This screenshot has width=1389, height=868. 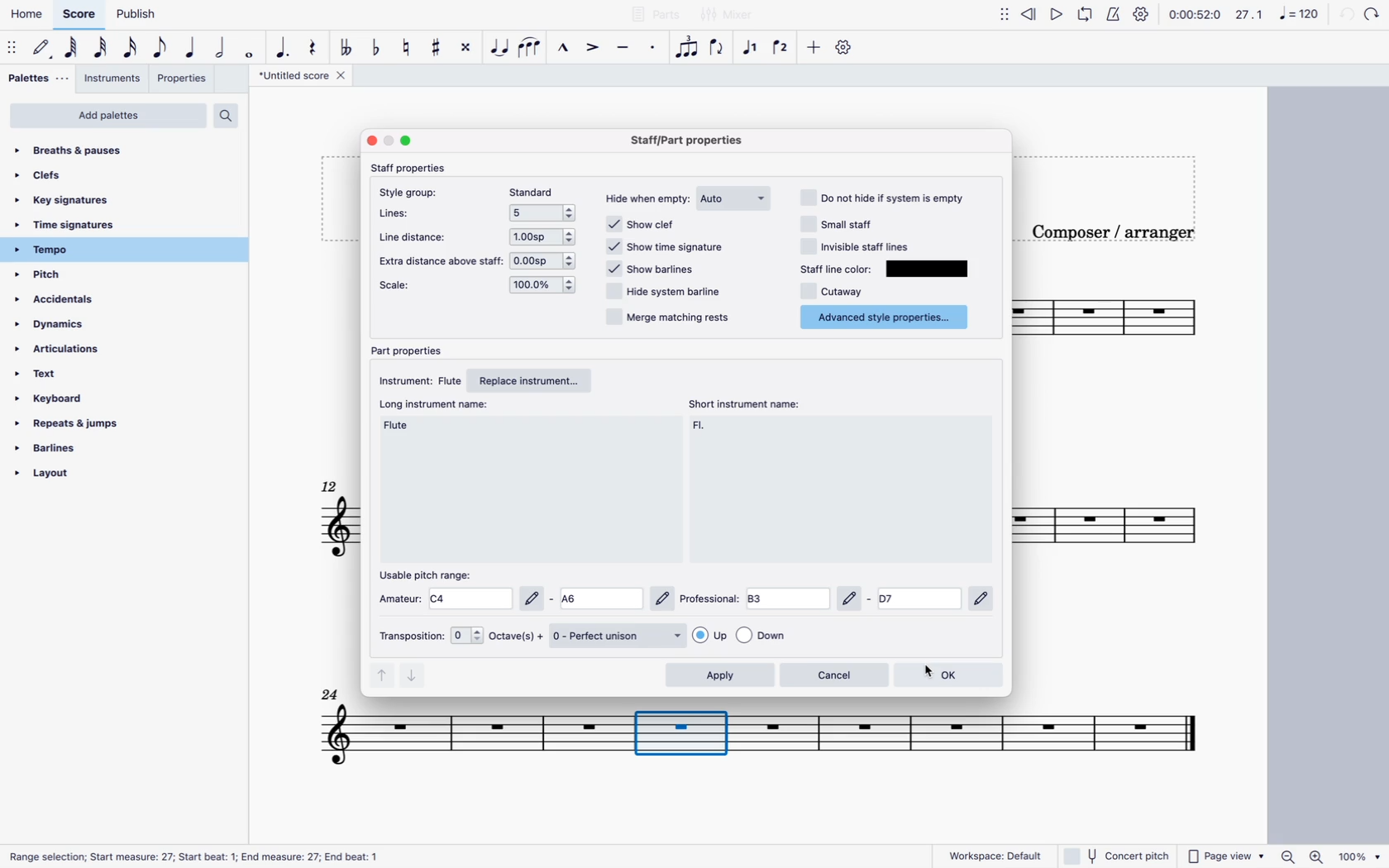 I want to click on rest, so click(x=316, y=48).